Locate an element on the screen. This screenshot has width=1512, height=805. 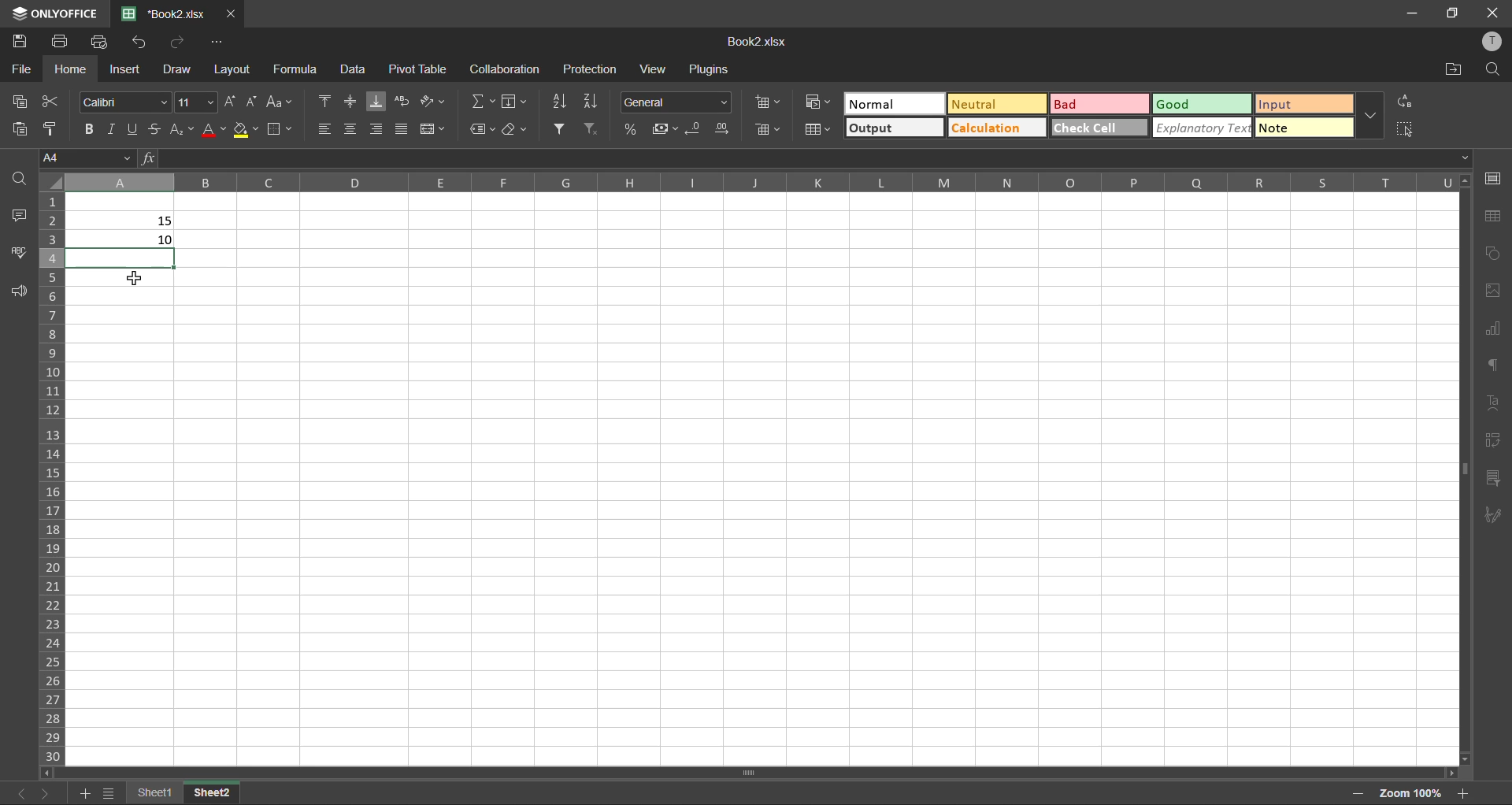
row numbers is located at coordinates (54, 476).